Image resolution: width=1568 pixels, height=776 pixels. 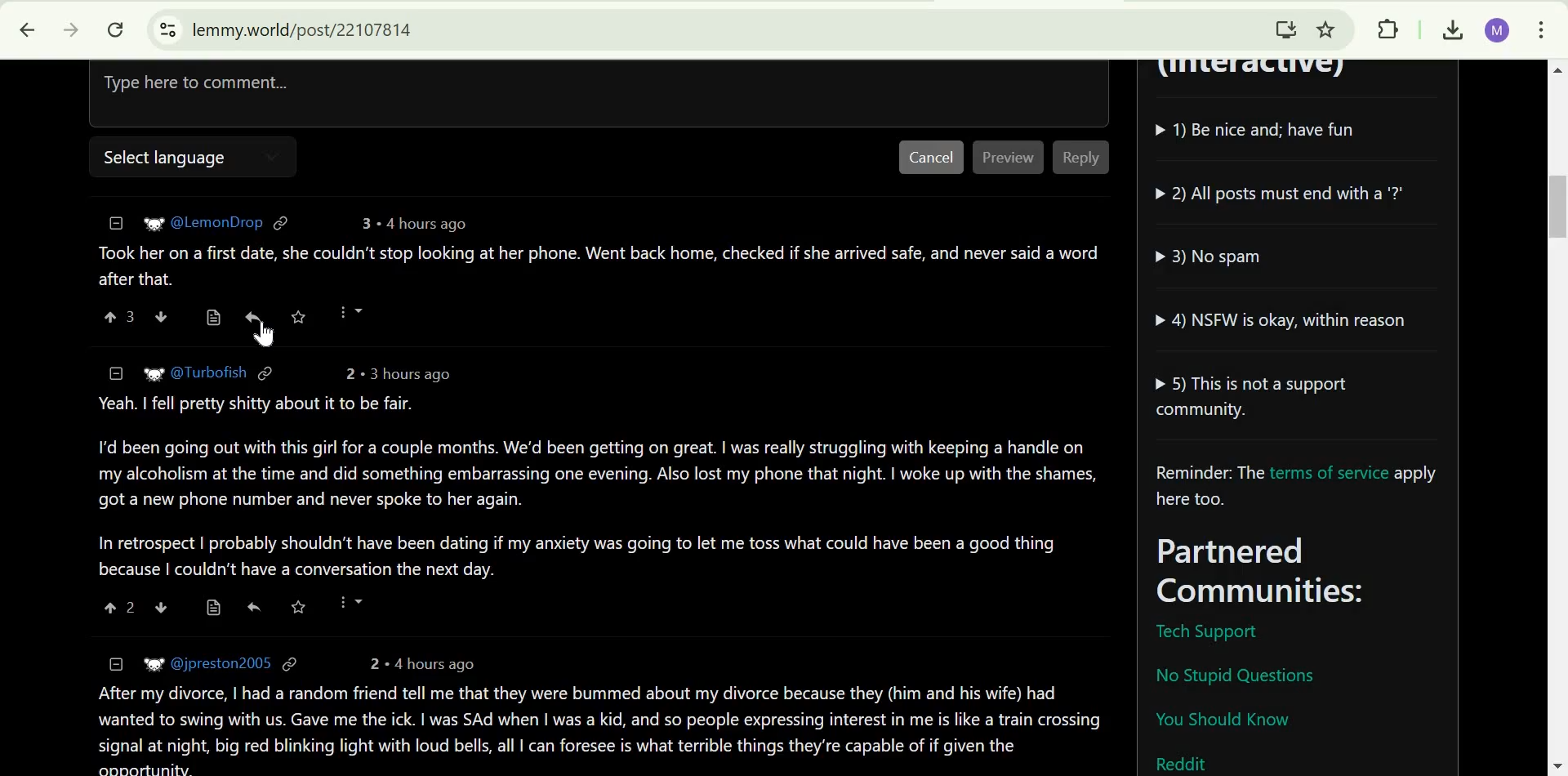 What do you see at coordinates (1220, 718) in the screenshot?
I see `You should know` at bounding box center [1220, 718].